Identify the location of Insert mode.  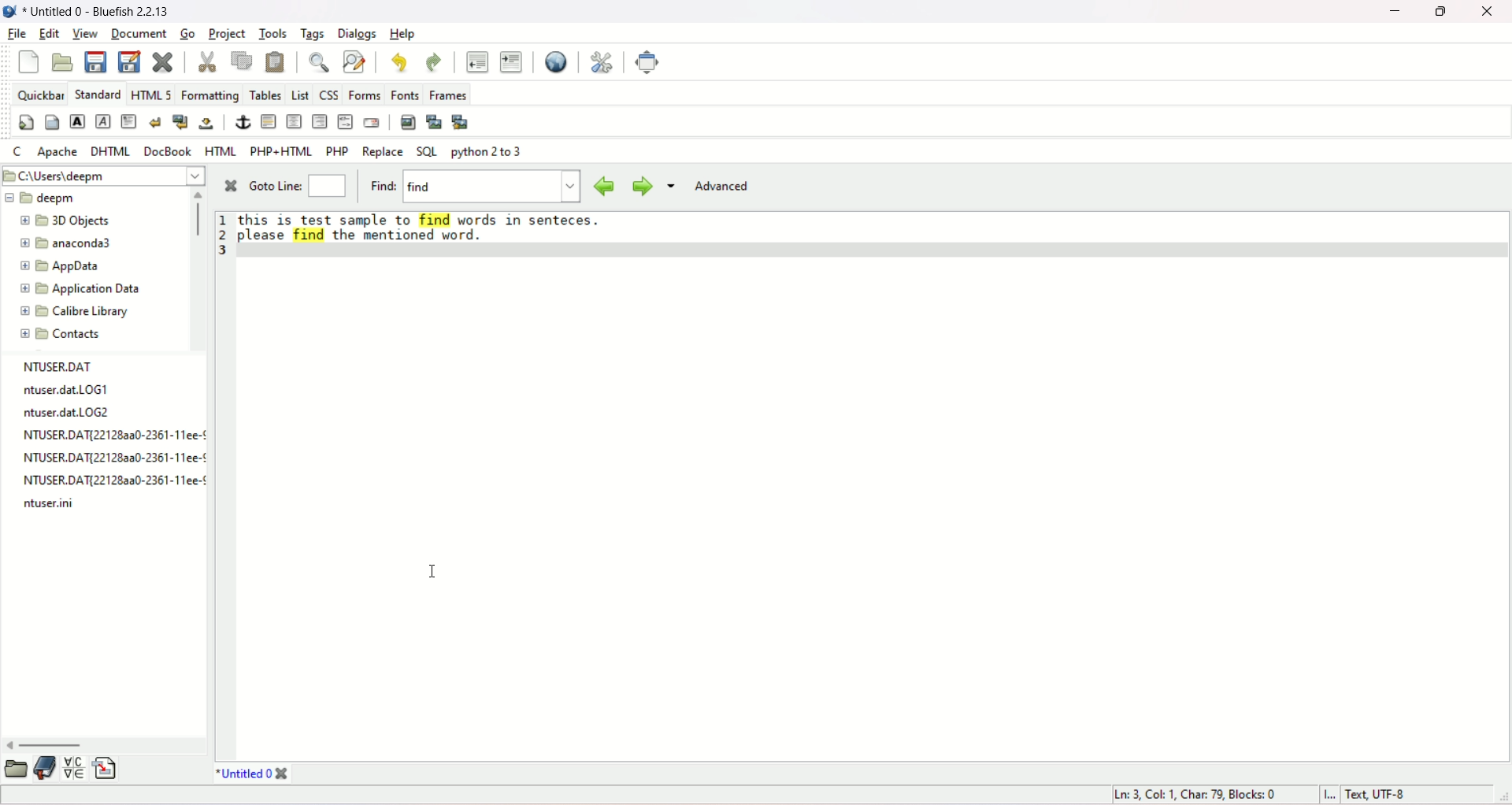
(1327, 793).